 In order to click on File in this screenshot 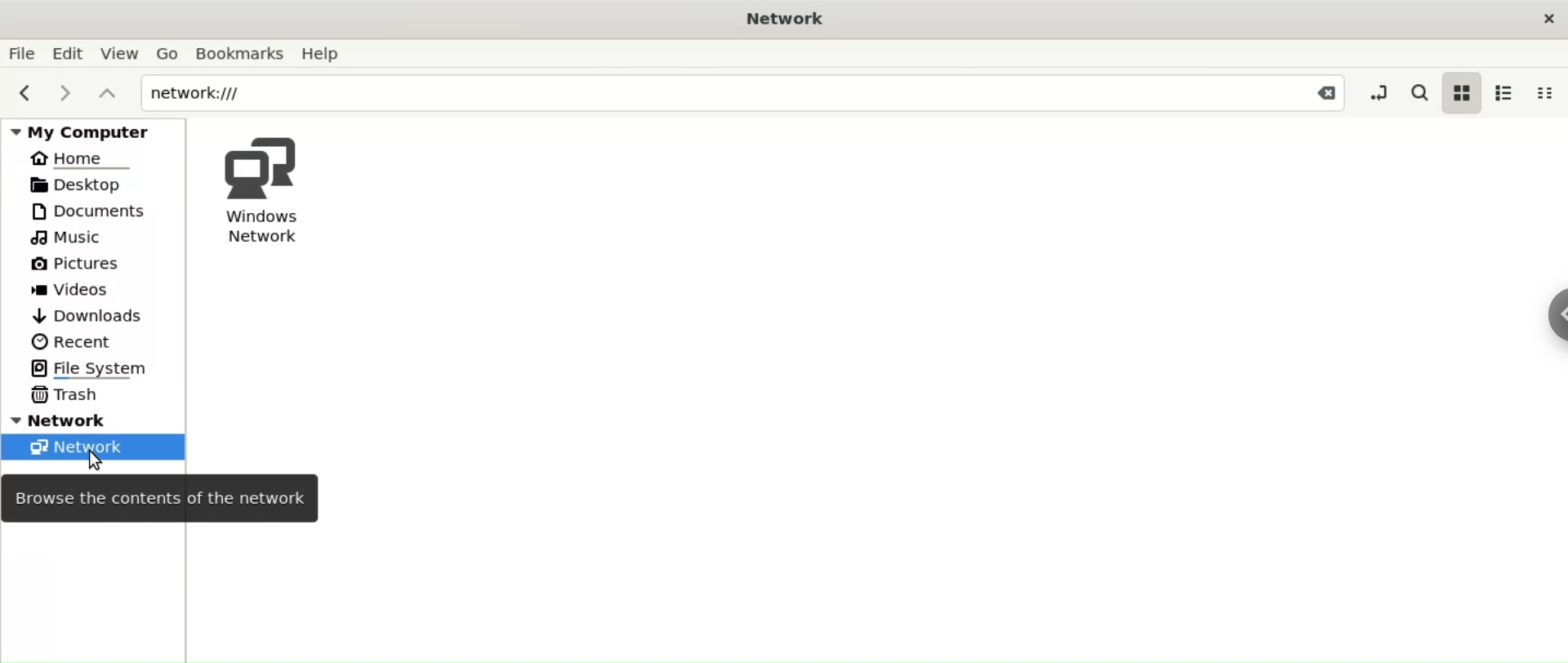, I will do `click(26, 54)`.